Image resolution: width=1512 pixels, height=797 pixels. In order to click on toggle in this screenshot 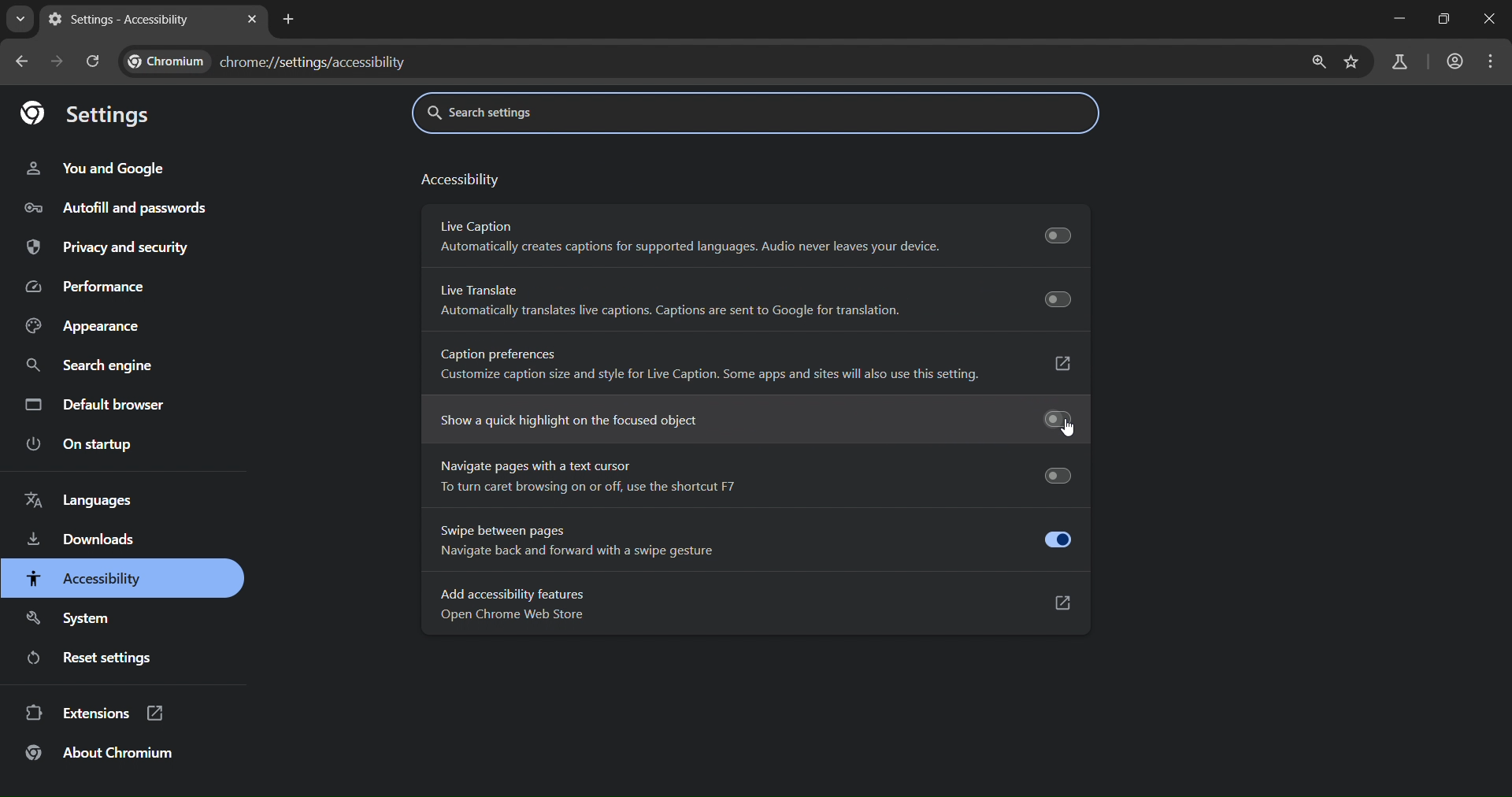, I will do `click(1057, 539)`.